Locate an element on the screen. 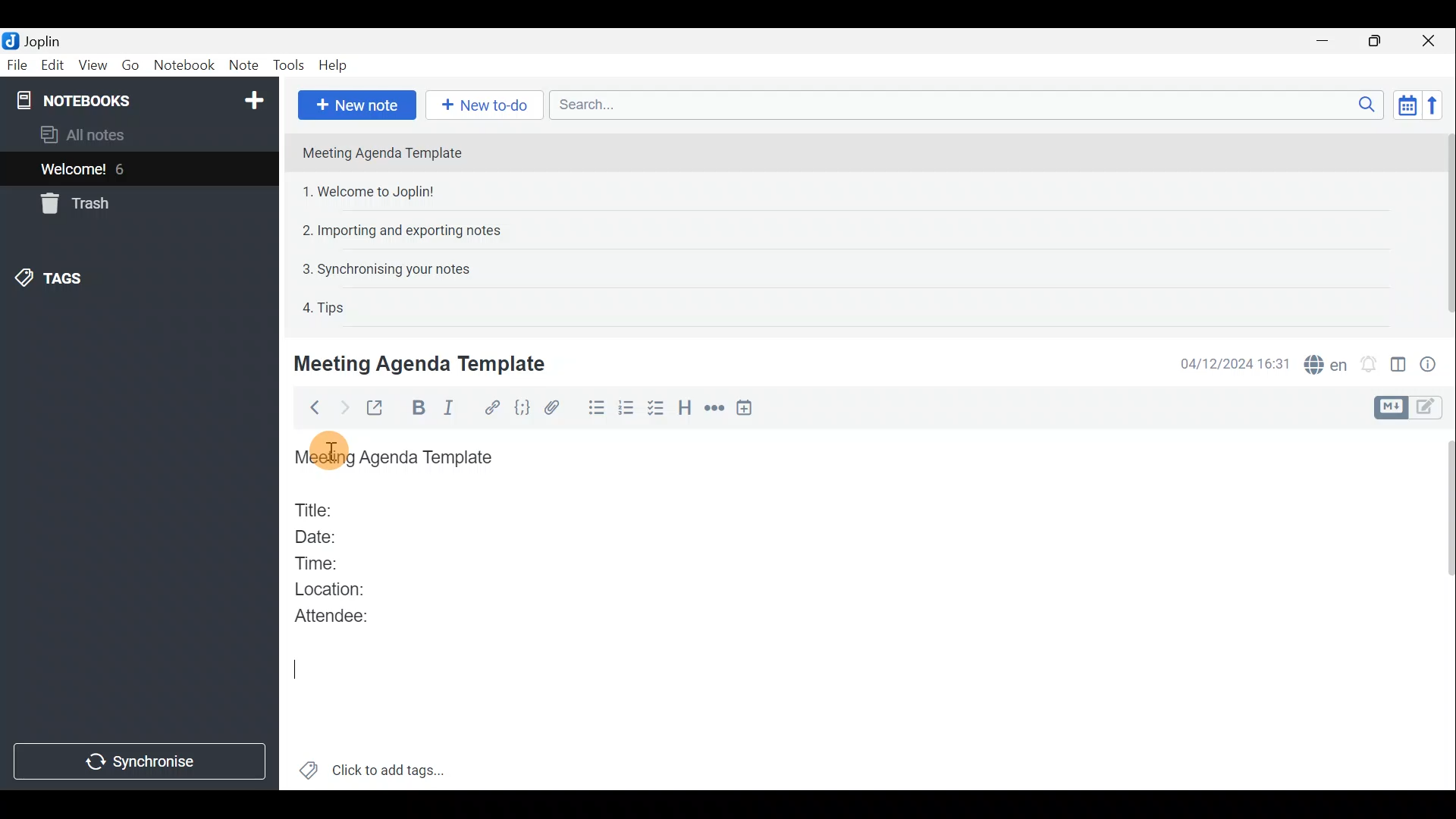  Attendee: is located at coordinates (343, 615).